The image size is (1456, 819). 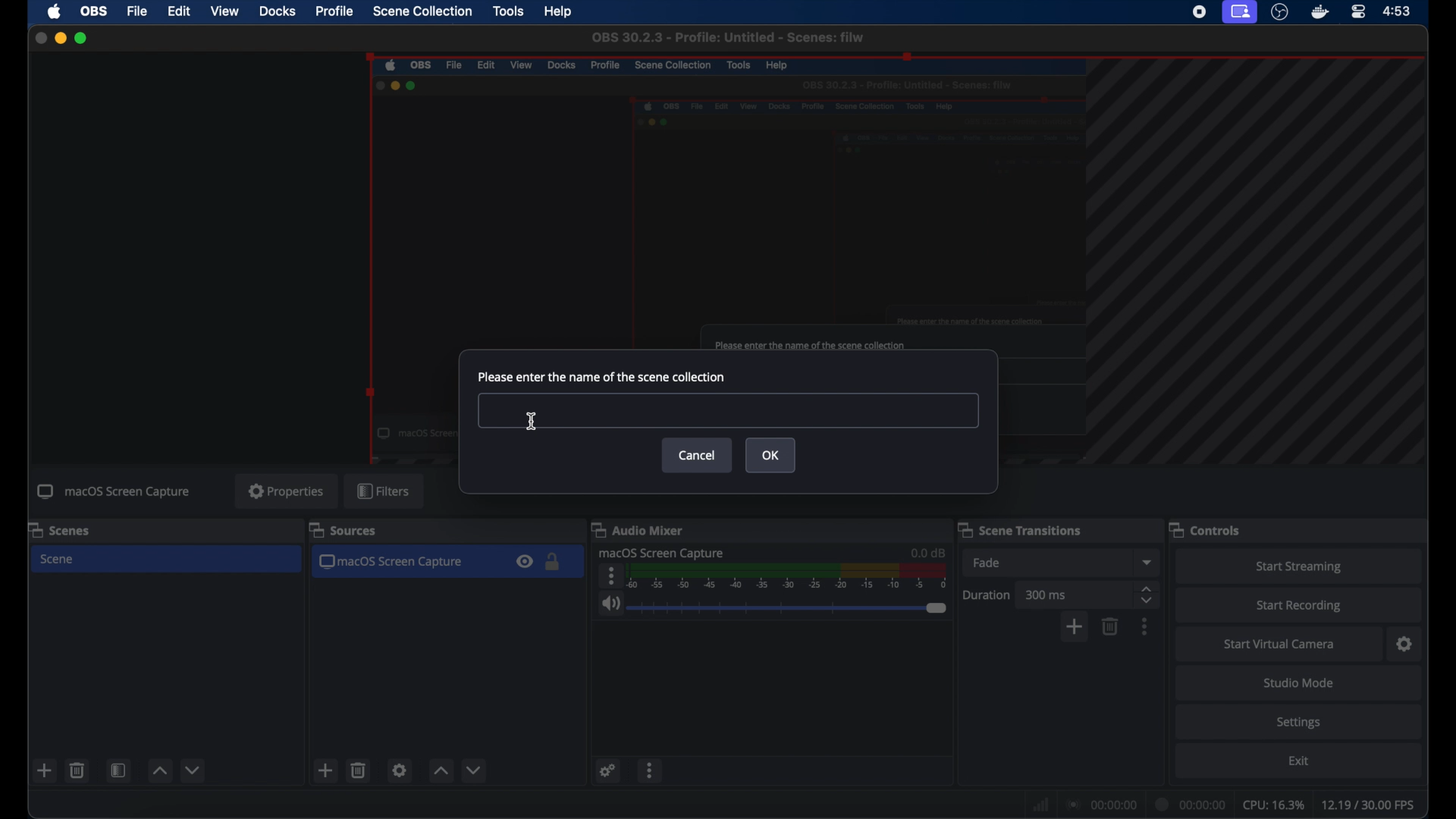 What do you see at coordinates (642, 529) in the screenshot?
I see `audio mixer` at bounding box center [642, 529].